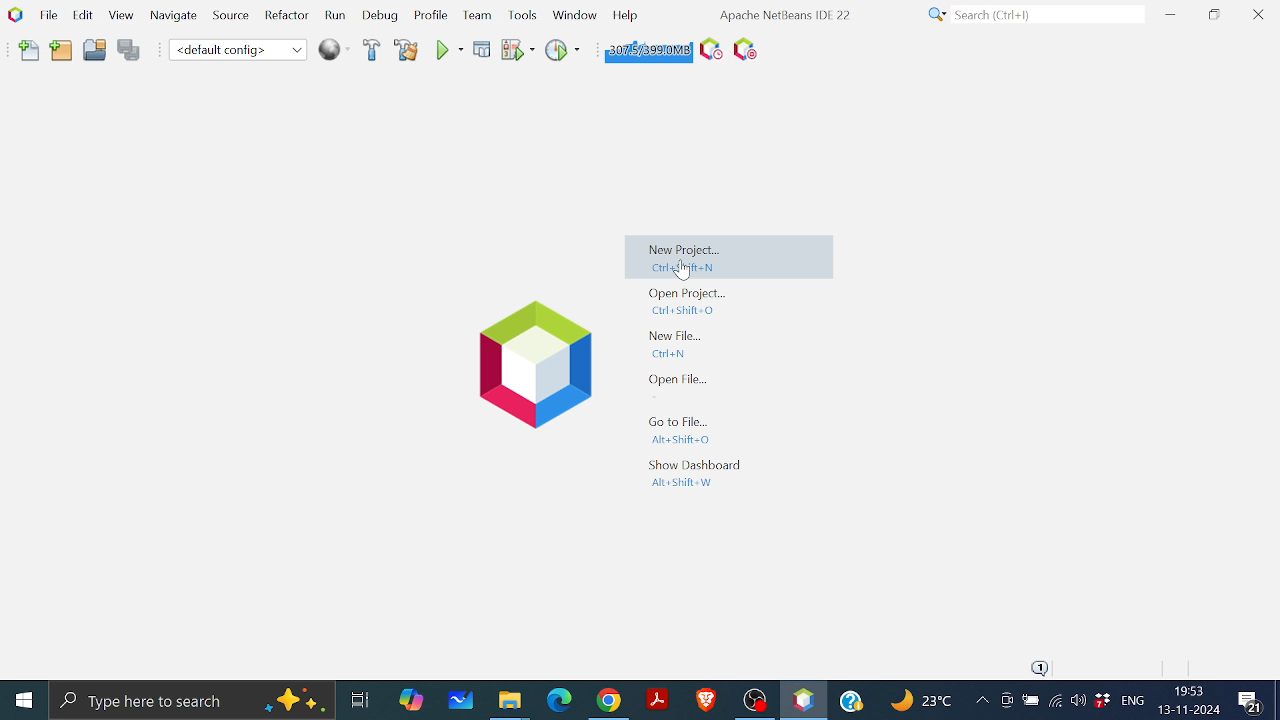 This screenshot has height=720, width=1280. I want to click on Dropbox, so click(1102, 701).